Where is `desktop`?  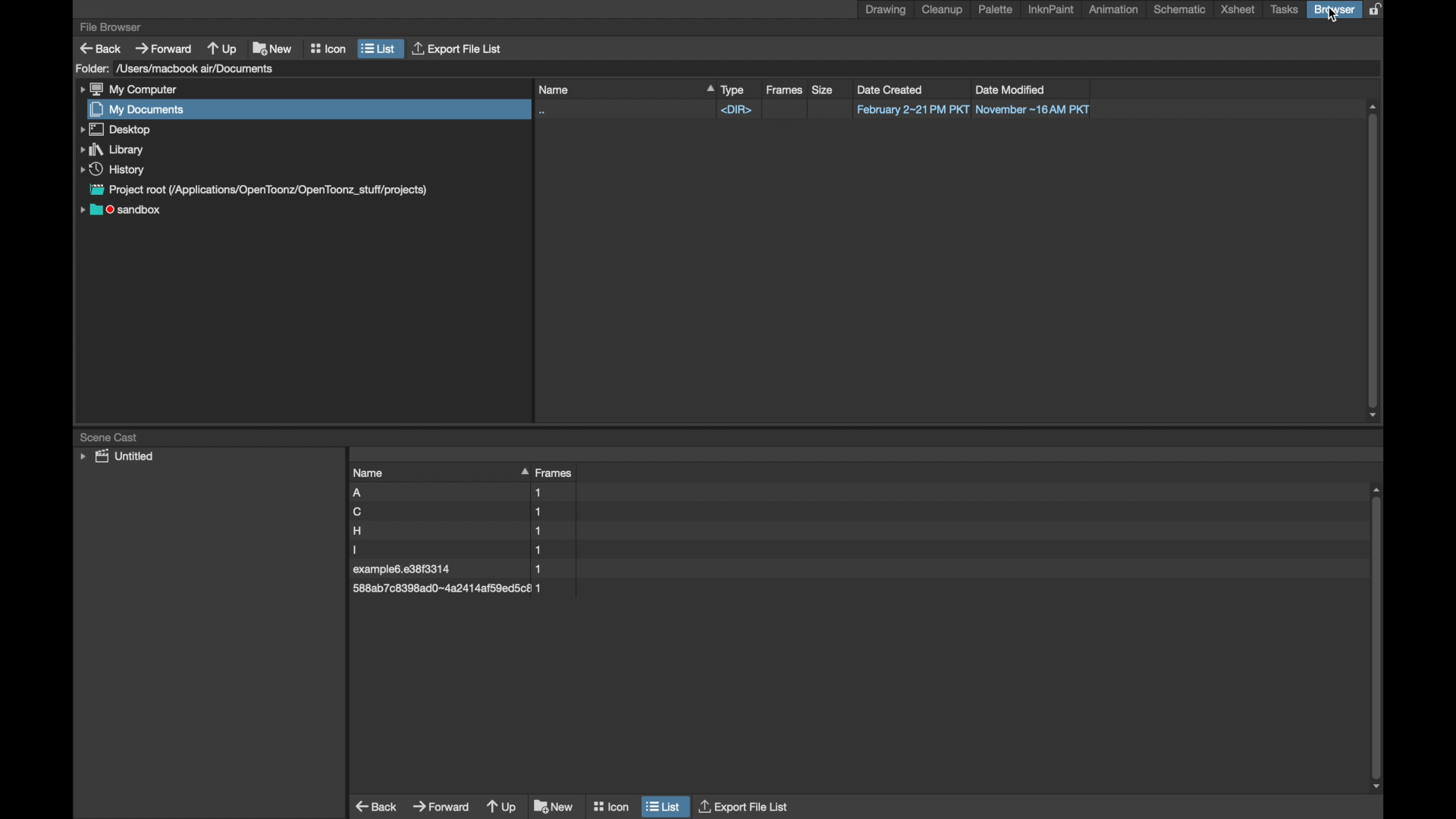 desktop is located at coordinates (117, 130).